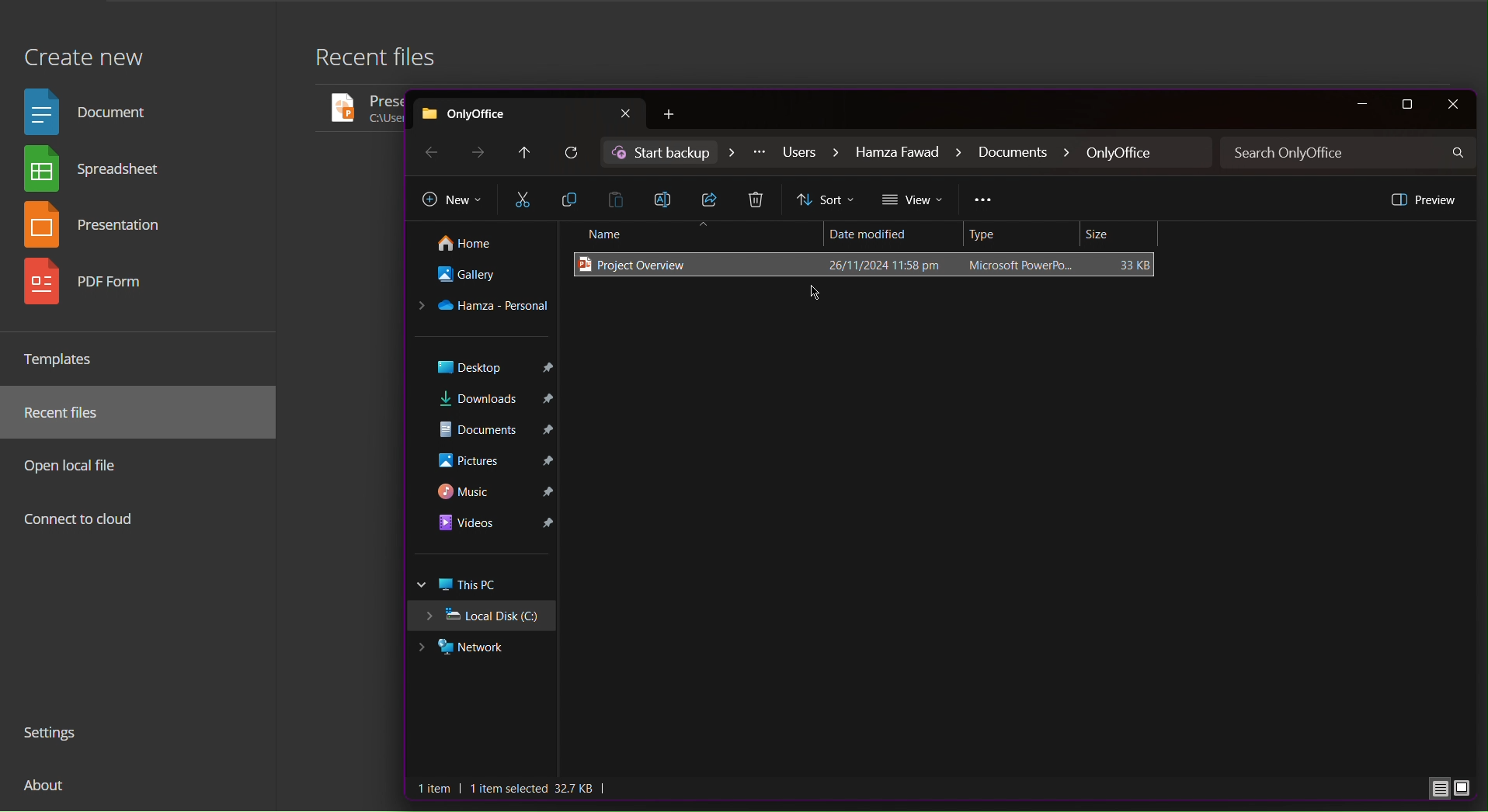  What do you see at coordinates (478, 649) in the screenshot?
I see `network` at bounding box center [478, 649].